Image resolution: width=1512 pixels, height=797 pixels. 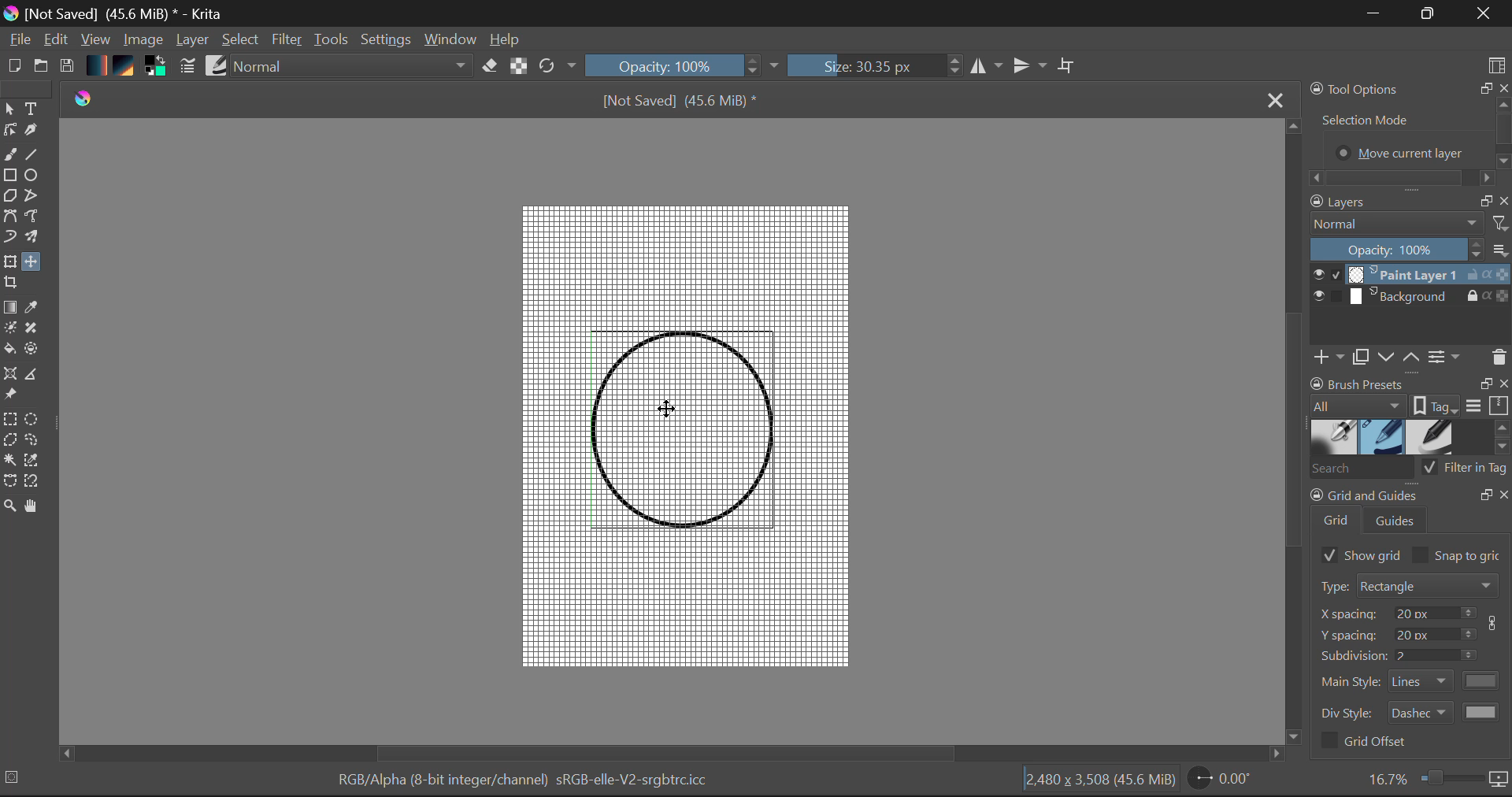 What do you see at coordinates (159, 69) in the screenshot?
I see `Colors in use` at bounding box center [159, 69].